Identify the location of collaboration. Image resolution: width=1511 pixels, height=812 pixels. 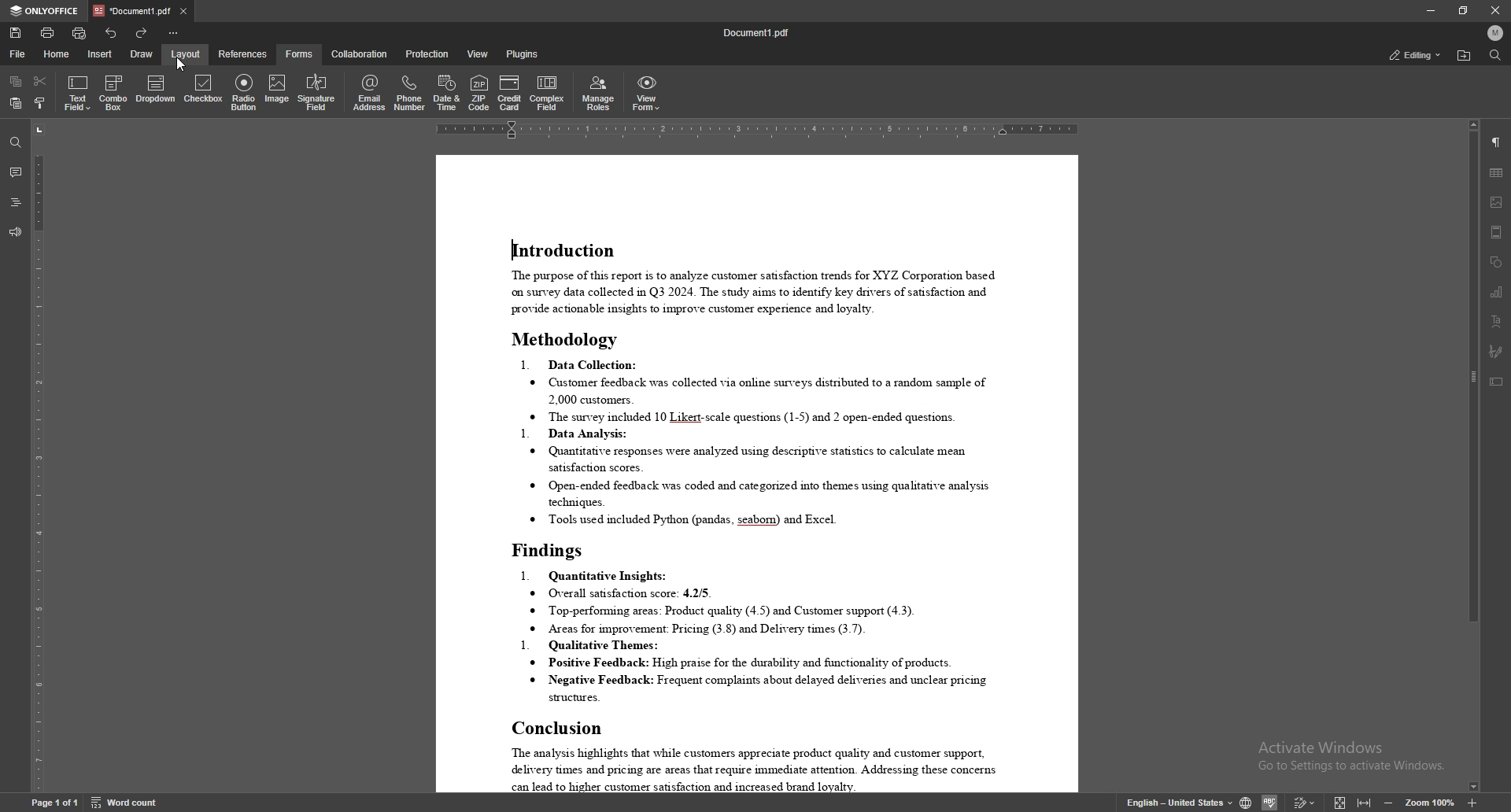
(359, 54).